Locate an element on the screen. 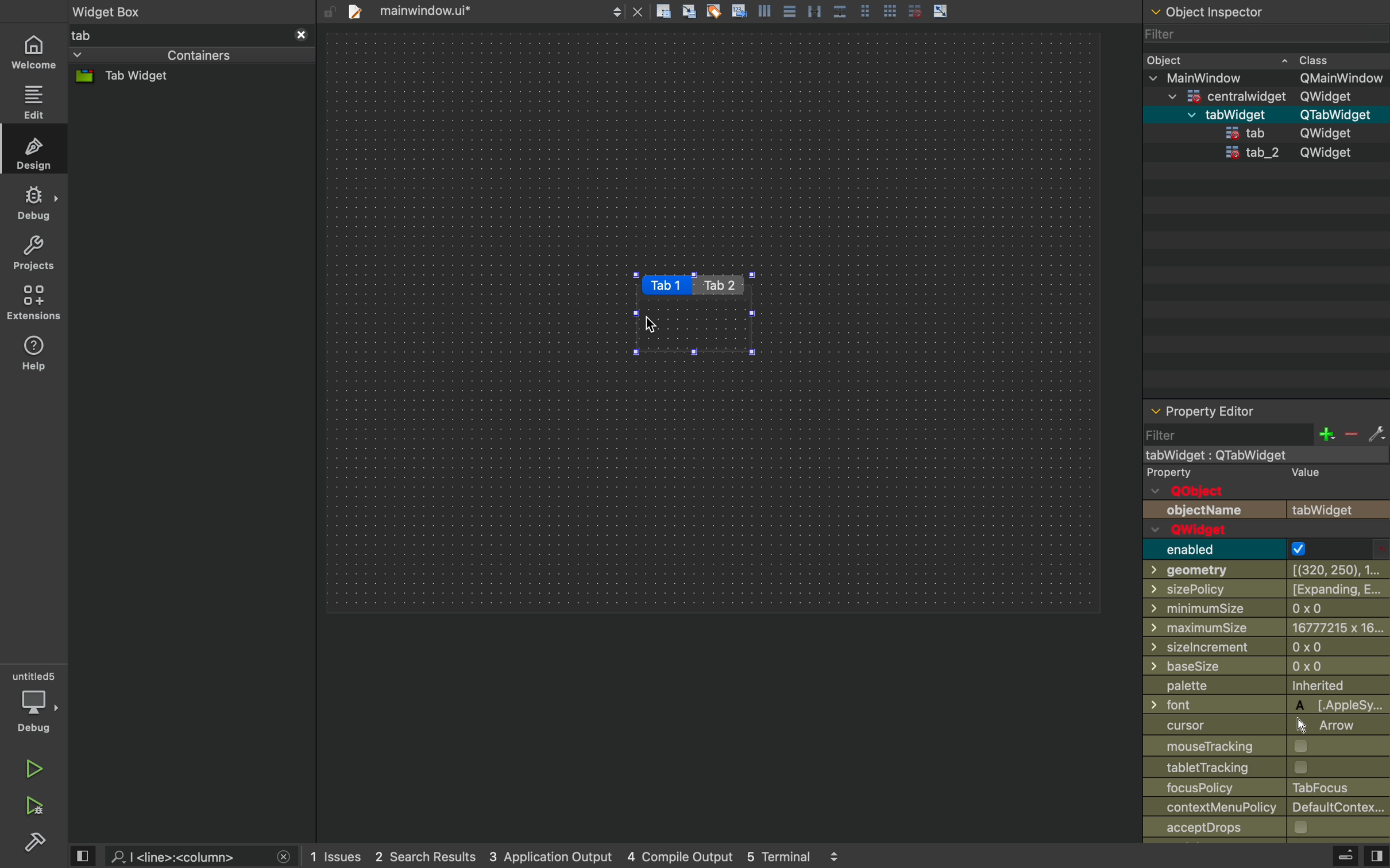  logs is located at coordinates (577, 857).